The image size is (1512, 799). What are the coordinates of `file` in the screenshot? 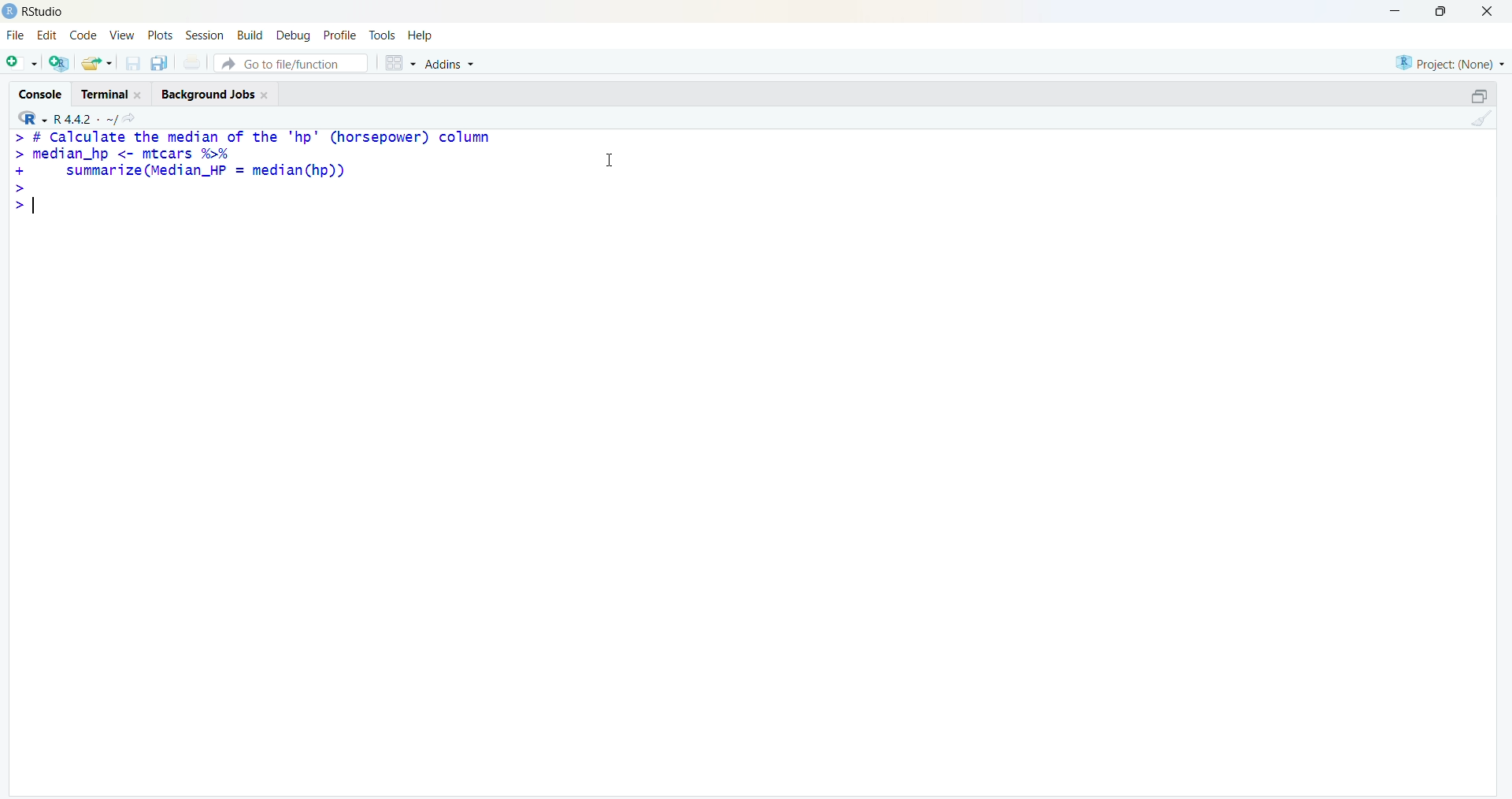 It's located at (16, 34).